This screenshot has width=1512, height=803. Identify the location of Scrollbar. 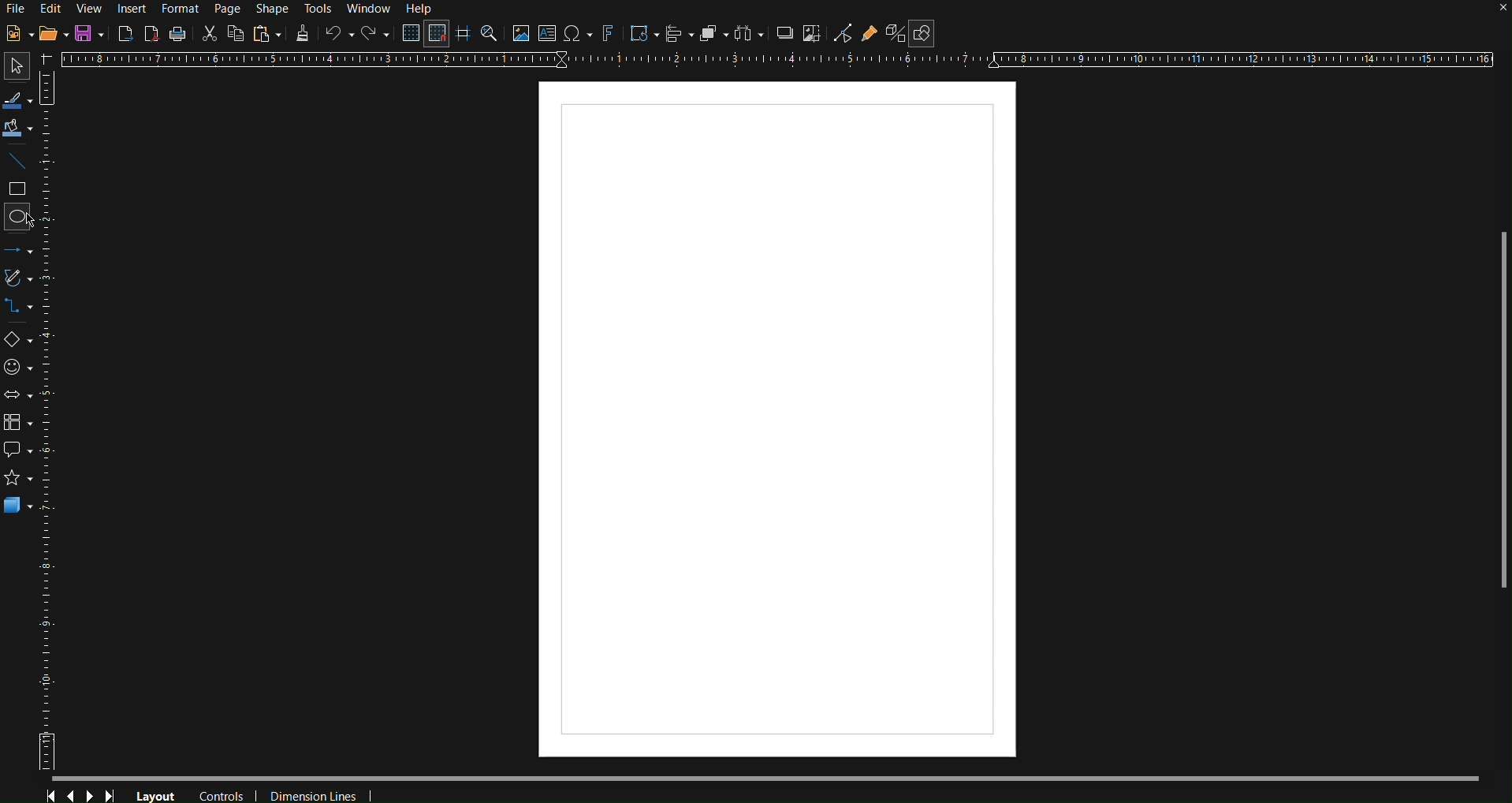
(1503, 409).